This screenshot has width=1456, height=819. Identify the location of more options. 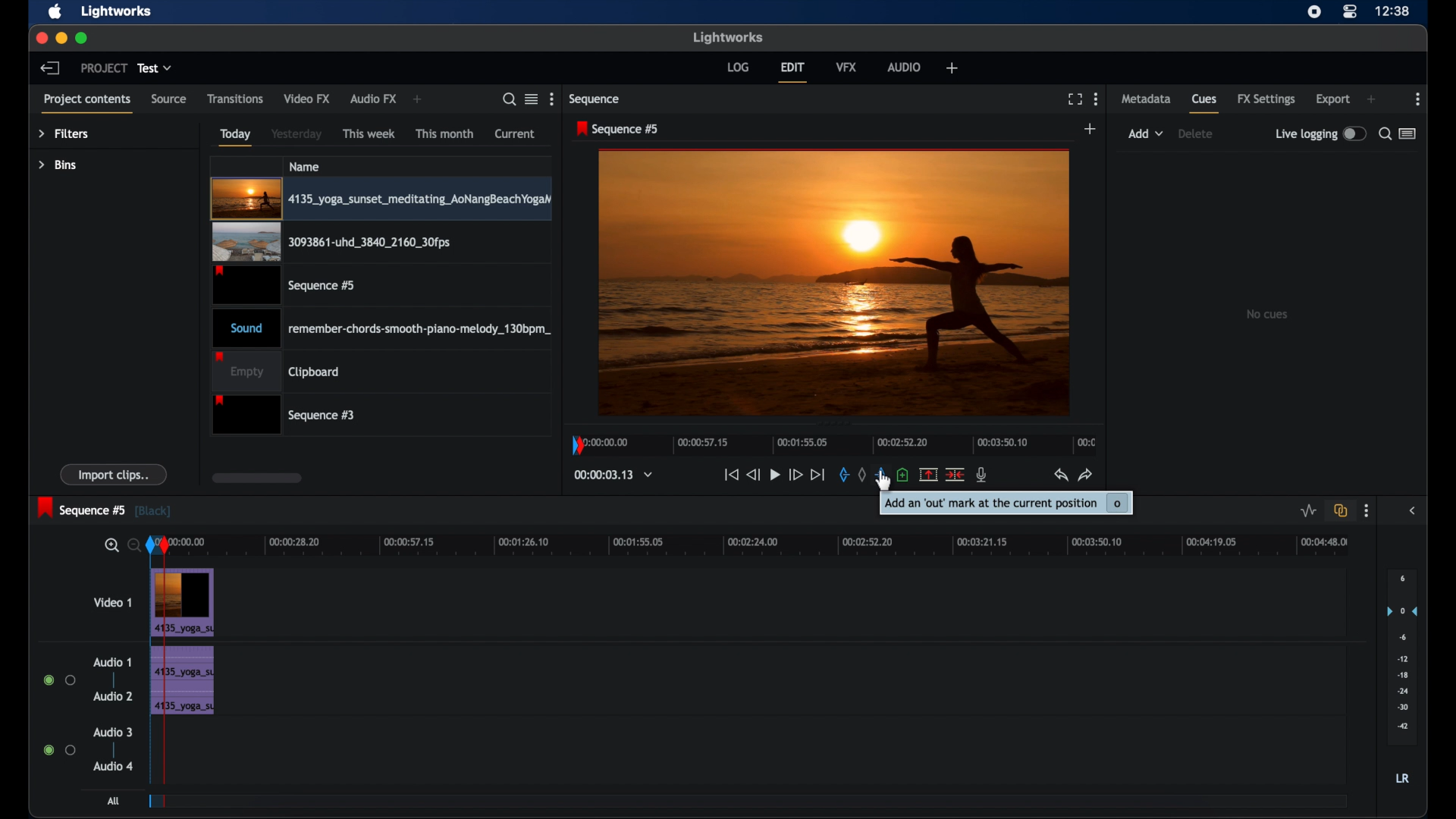
(552, 99).